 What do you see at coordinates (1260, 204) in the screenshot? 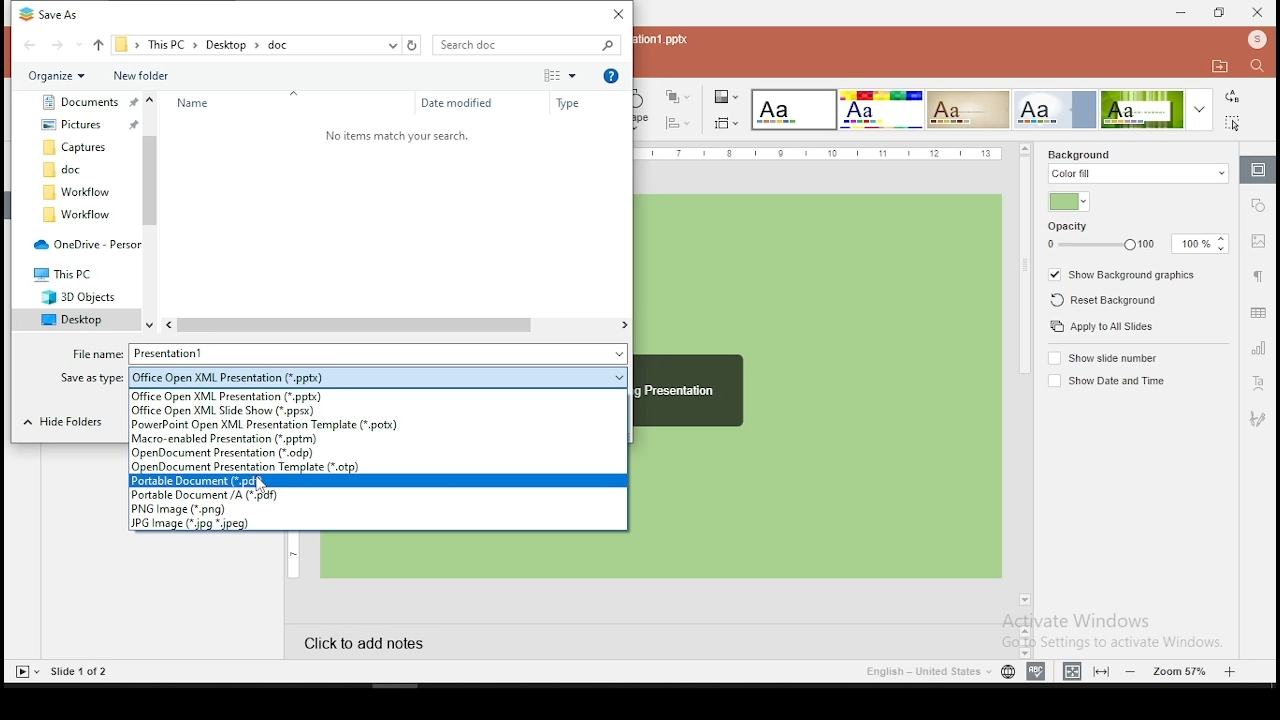
I see `shape settings` at bounding box center [1260, 204].